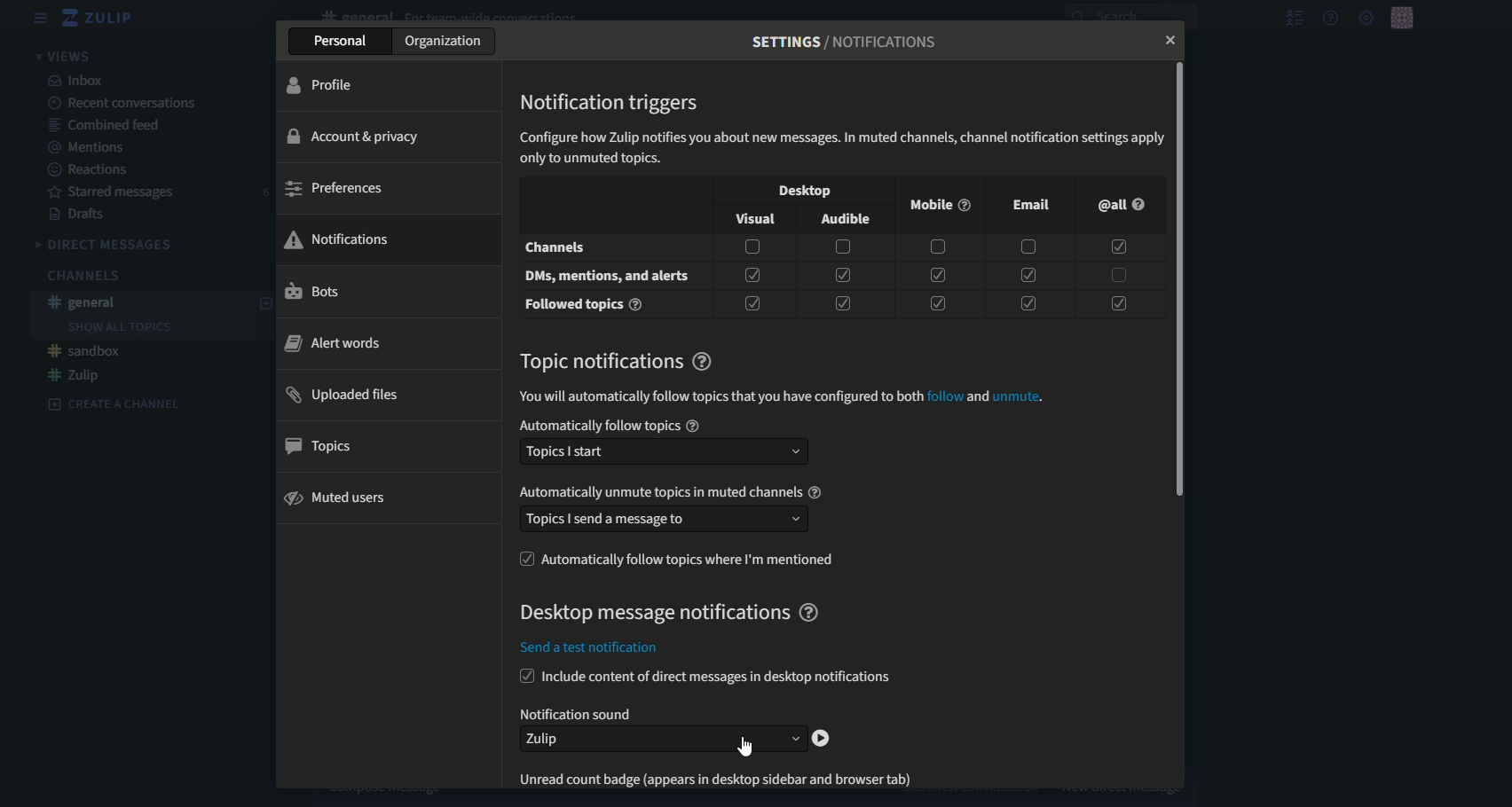 This screenshot has height=807, width=1512. Describe the element at coordinates (1028, 248) in the screenshot. I see `checkbox` at that location.